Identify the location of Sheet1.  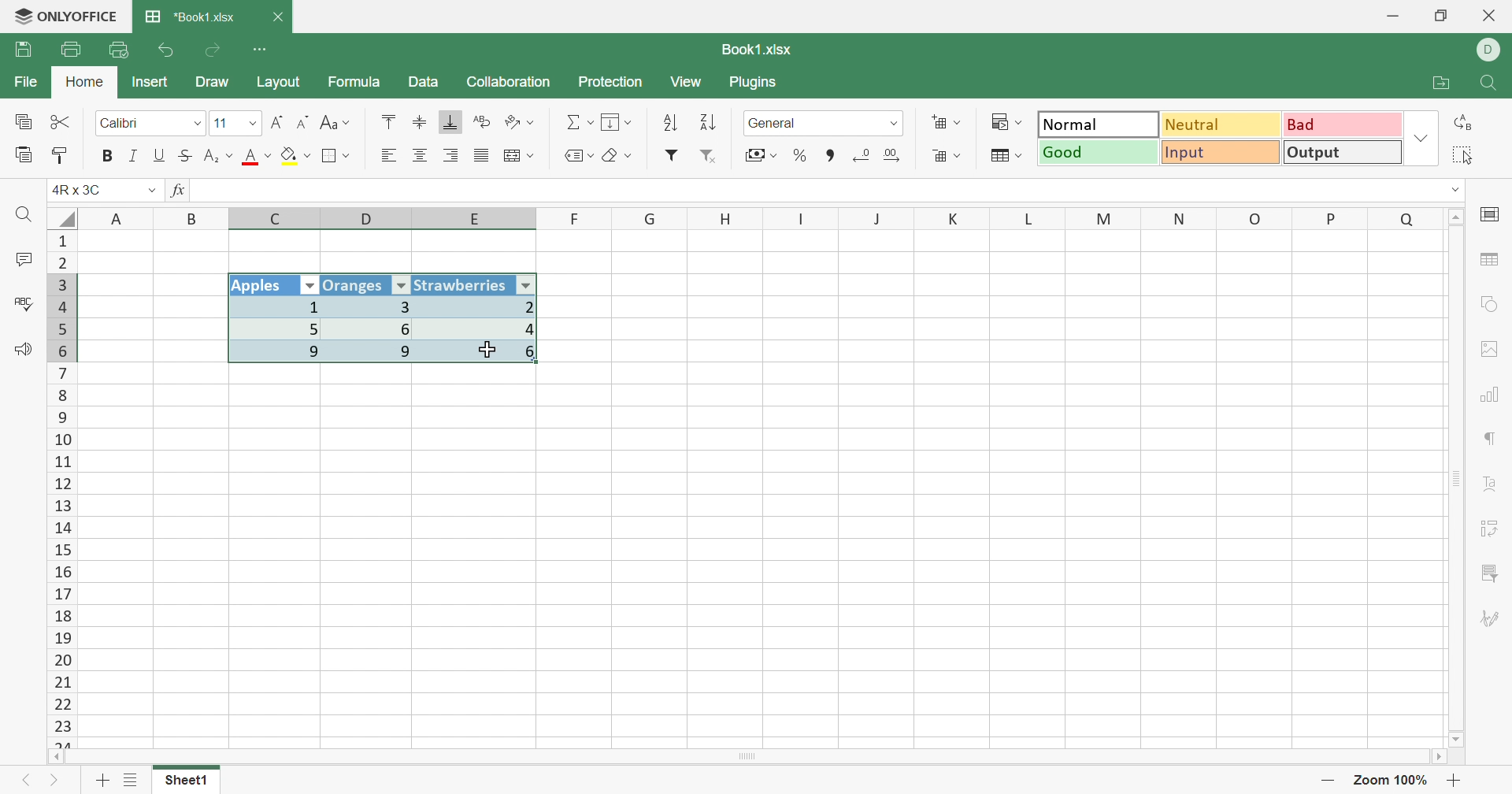
(186, 784).